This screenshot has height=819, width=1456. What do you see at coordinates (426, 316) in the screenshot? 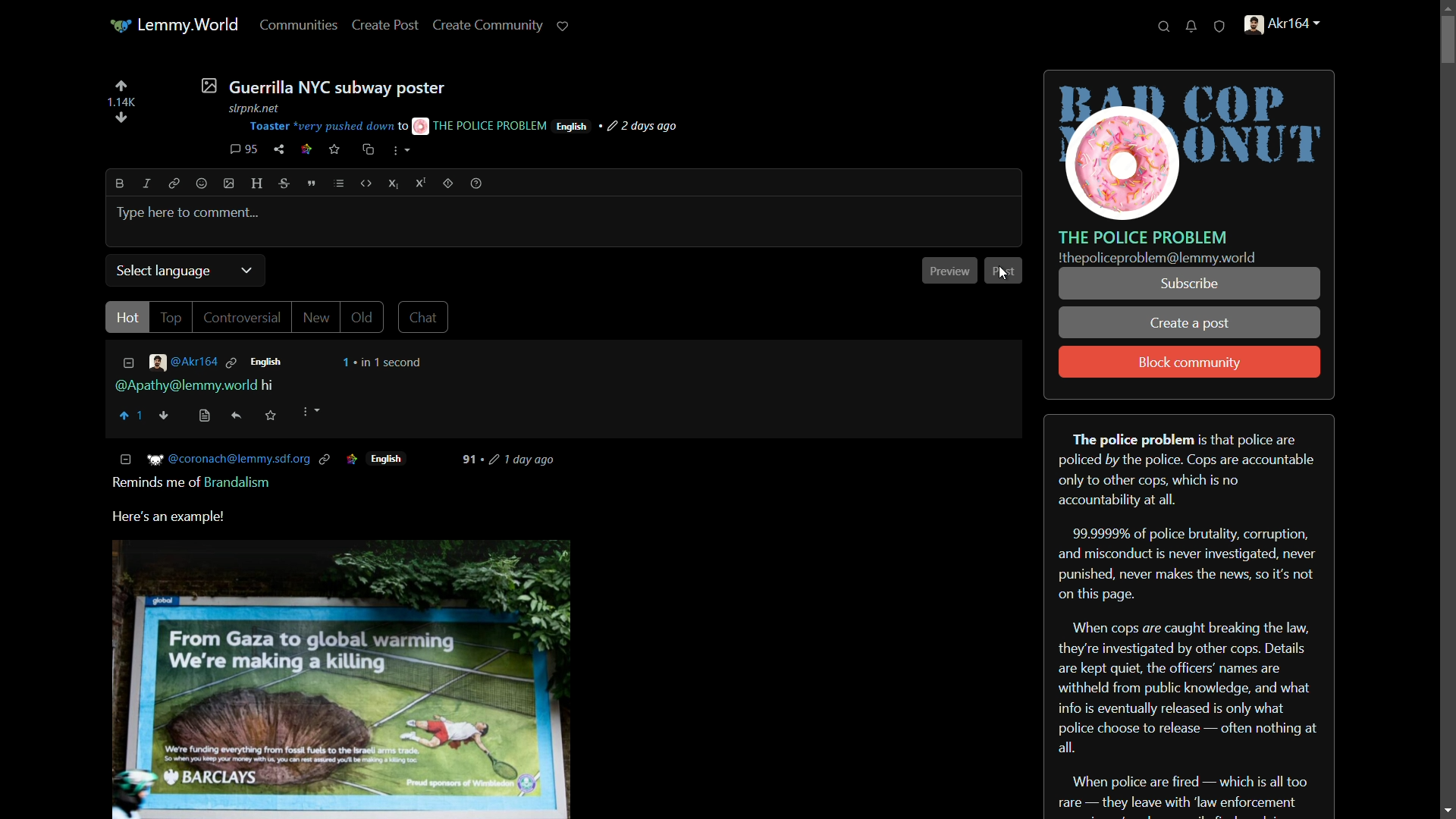
I see `chat` at bounding box center [426, 316].